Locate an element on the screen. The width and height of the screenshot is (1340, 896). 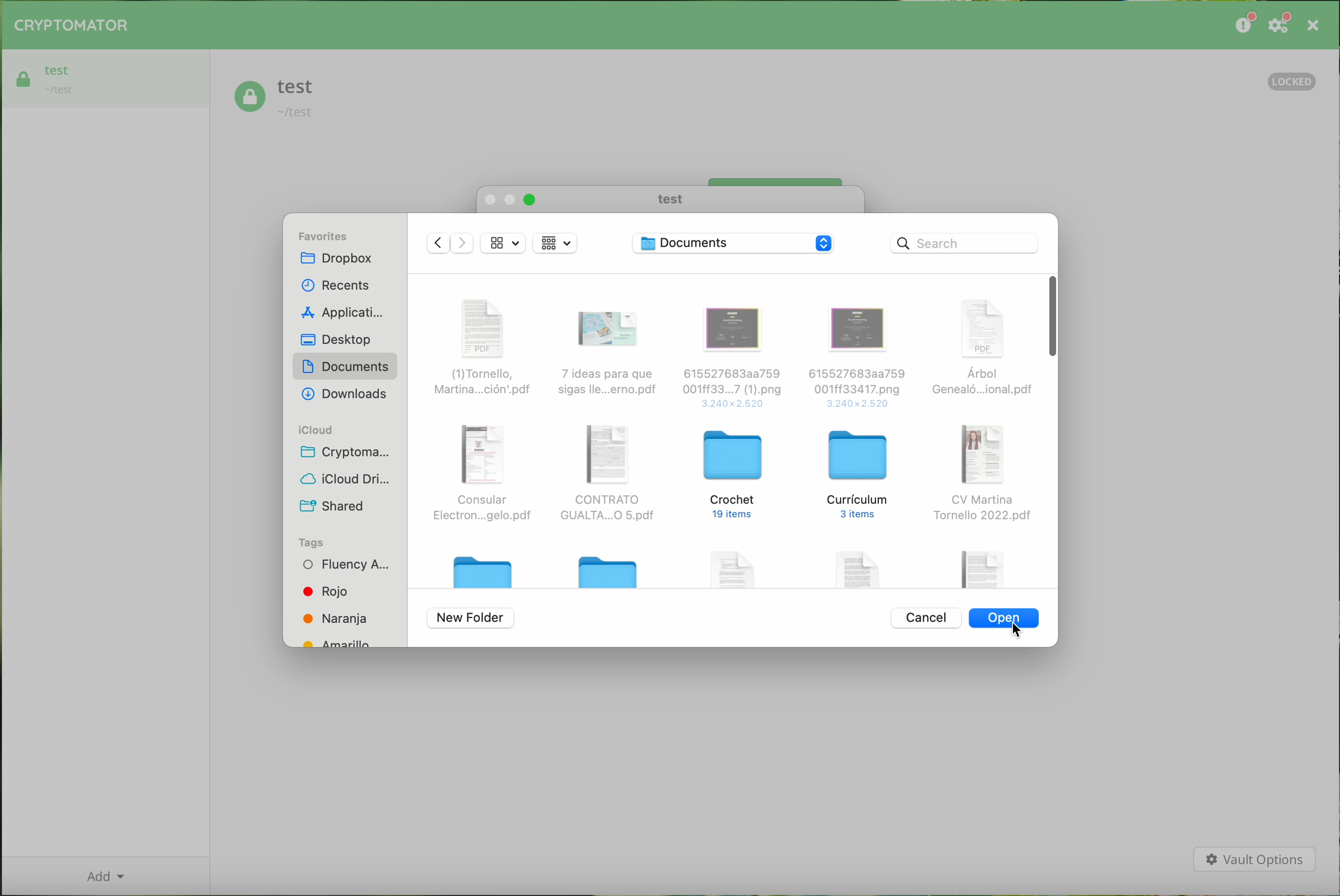
icloud is located at coordinates (315, 430).